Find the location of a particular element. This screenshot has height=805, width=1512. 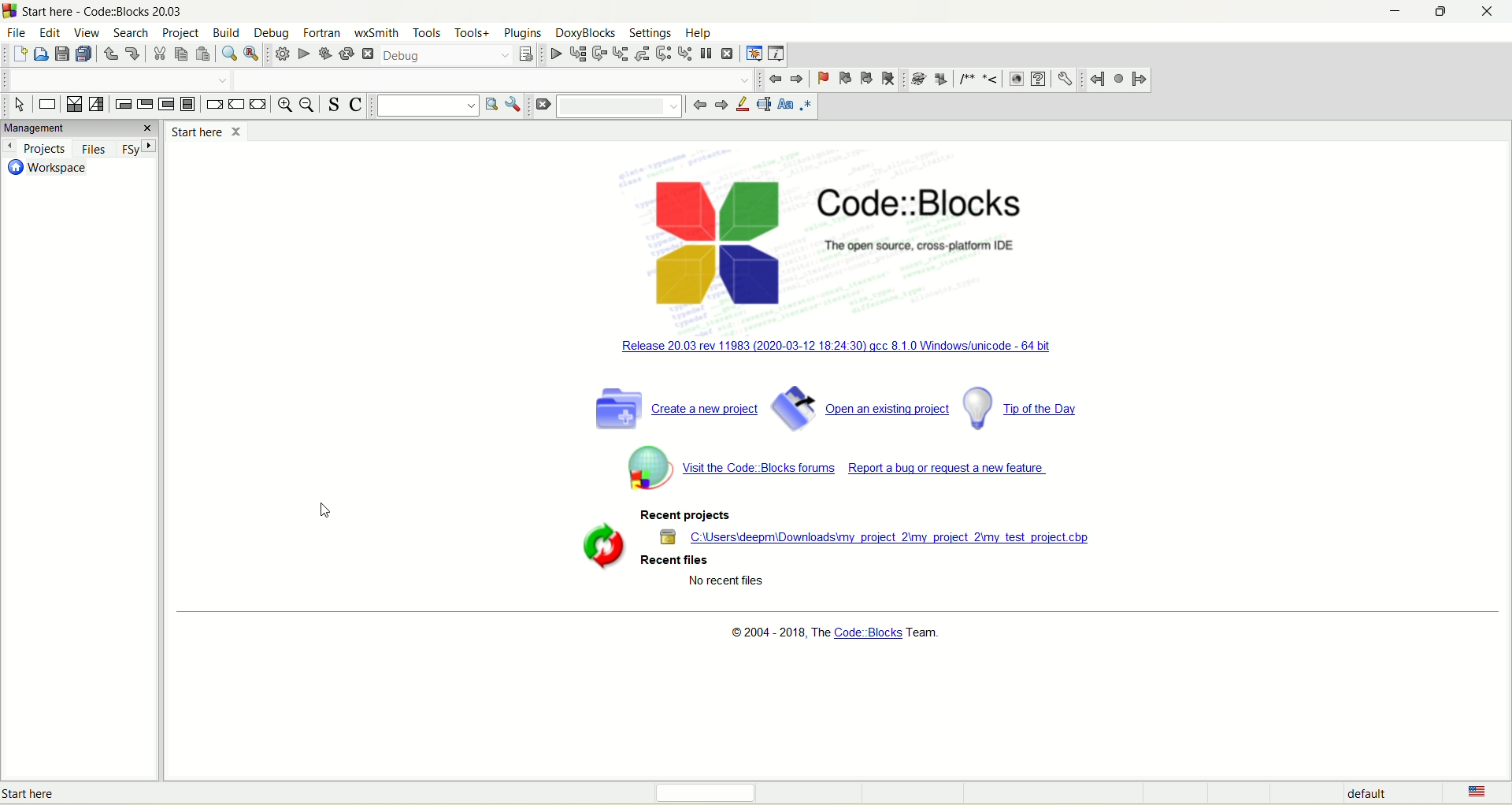

next bookmark is located at coordinates (866, 80).